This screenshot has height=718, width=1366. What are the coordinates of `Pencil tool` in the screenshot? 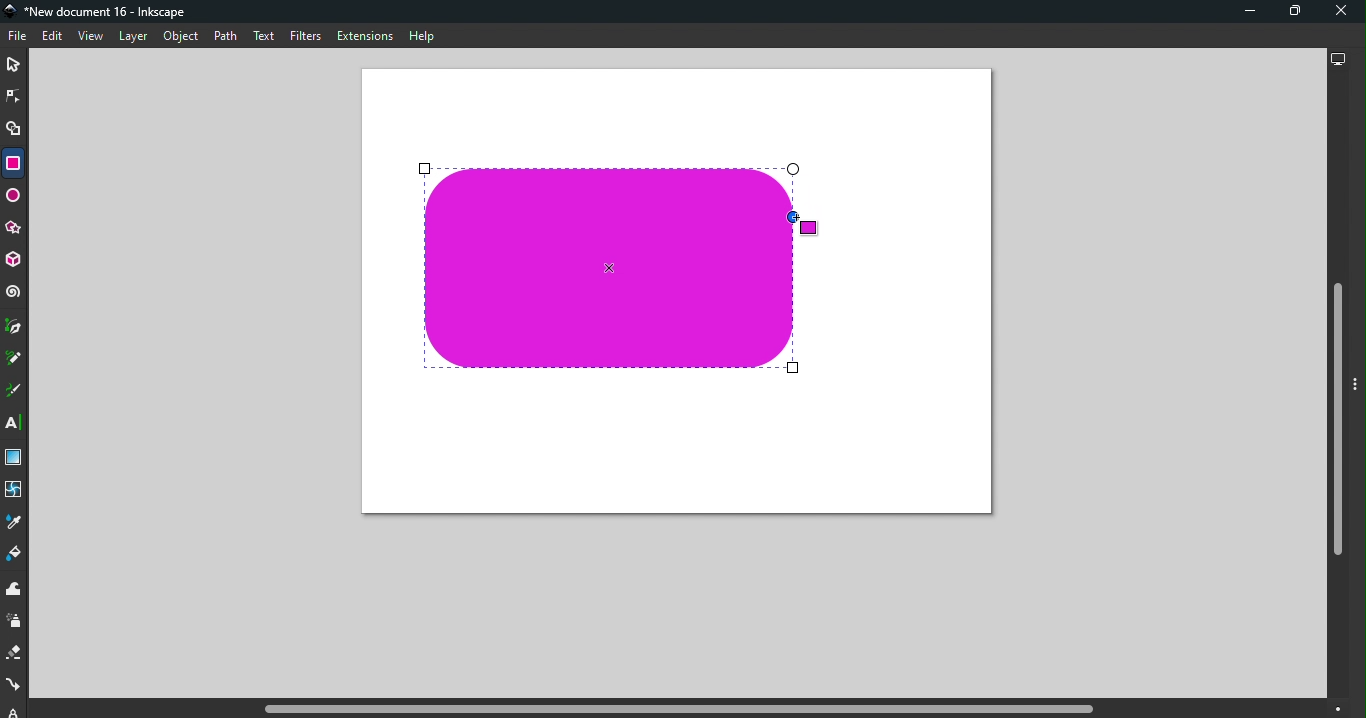 It's located at (17, 357).